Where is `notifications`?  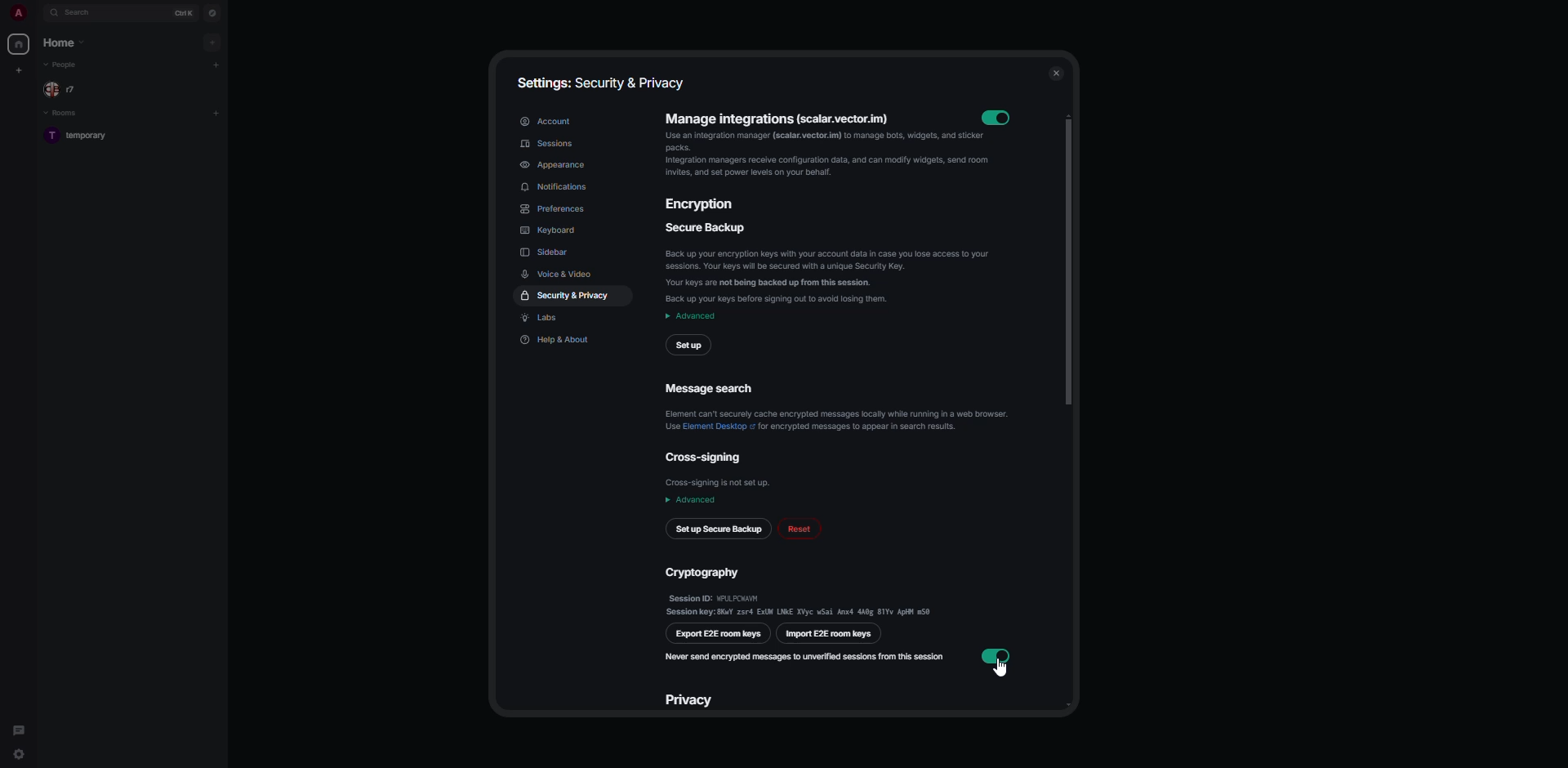
notifications is located at coordinates (559, 187).